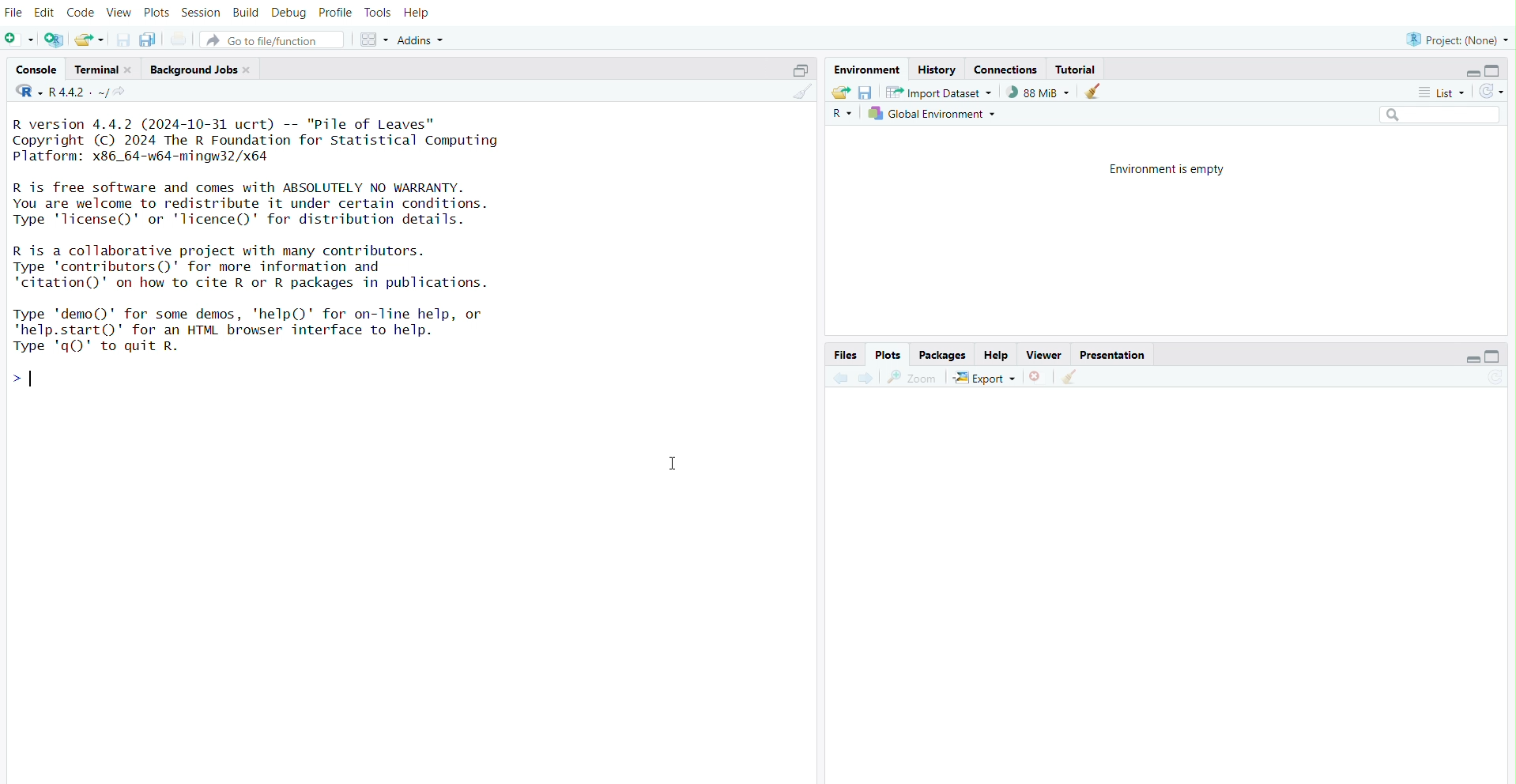 This screenshot has height=784, width=1516. What do you see at coordinates (289, 203) in the screenshot?
I see `Details of R and its license` at bounding box center [289, 203].